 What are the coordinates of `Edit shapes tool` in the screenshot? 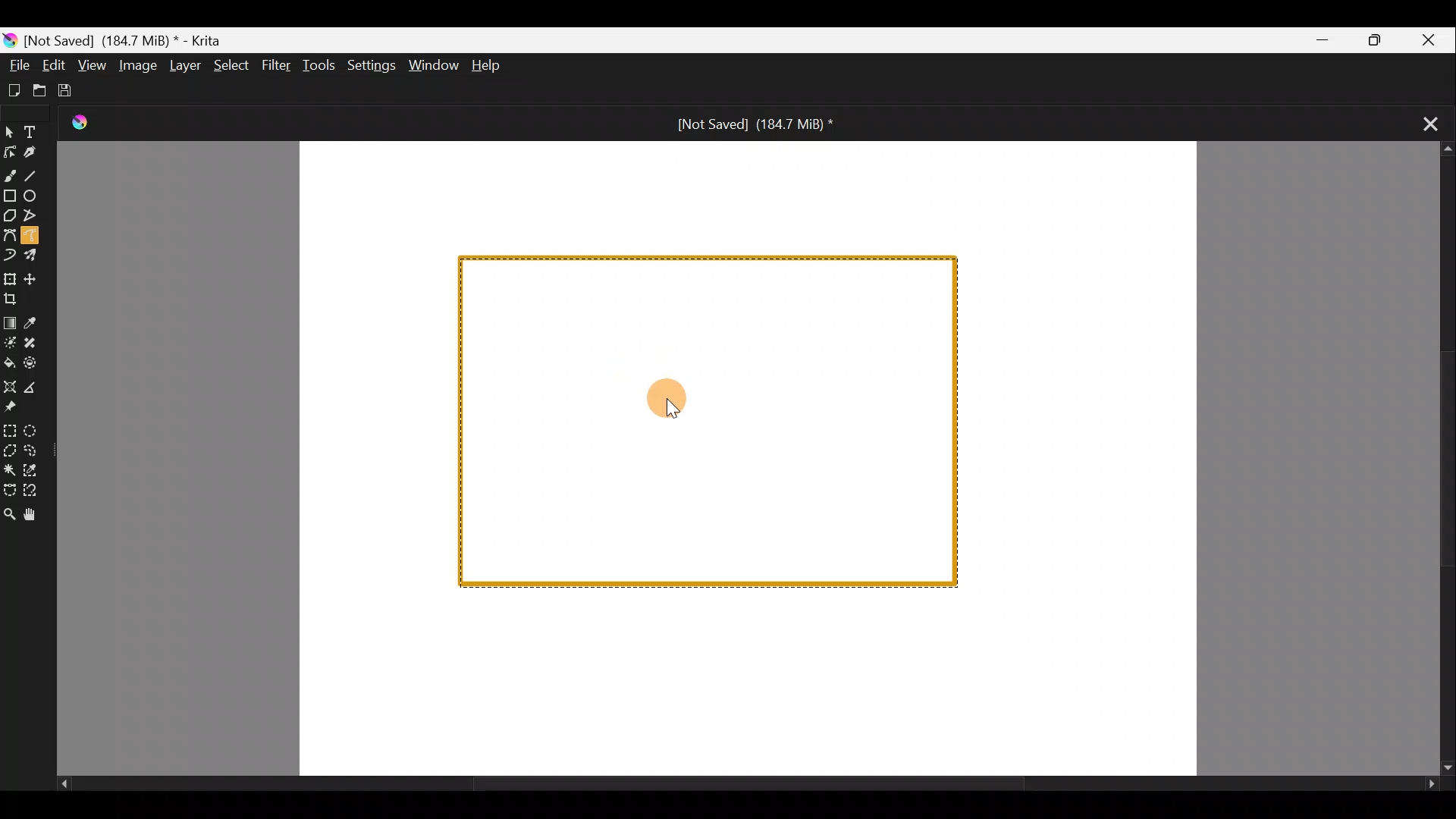 It's located at (9, 152).